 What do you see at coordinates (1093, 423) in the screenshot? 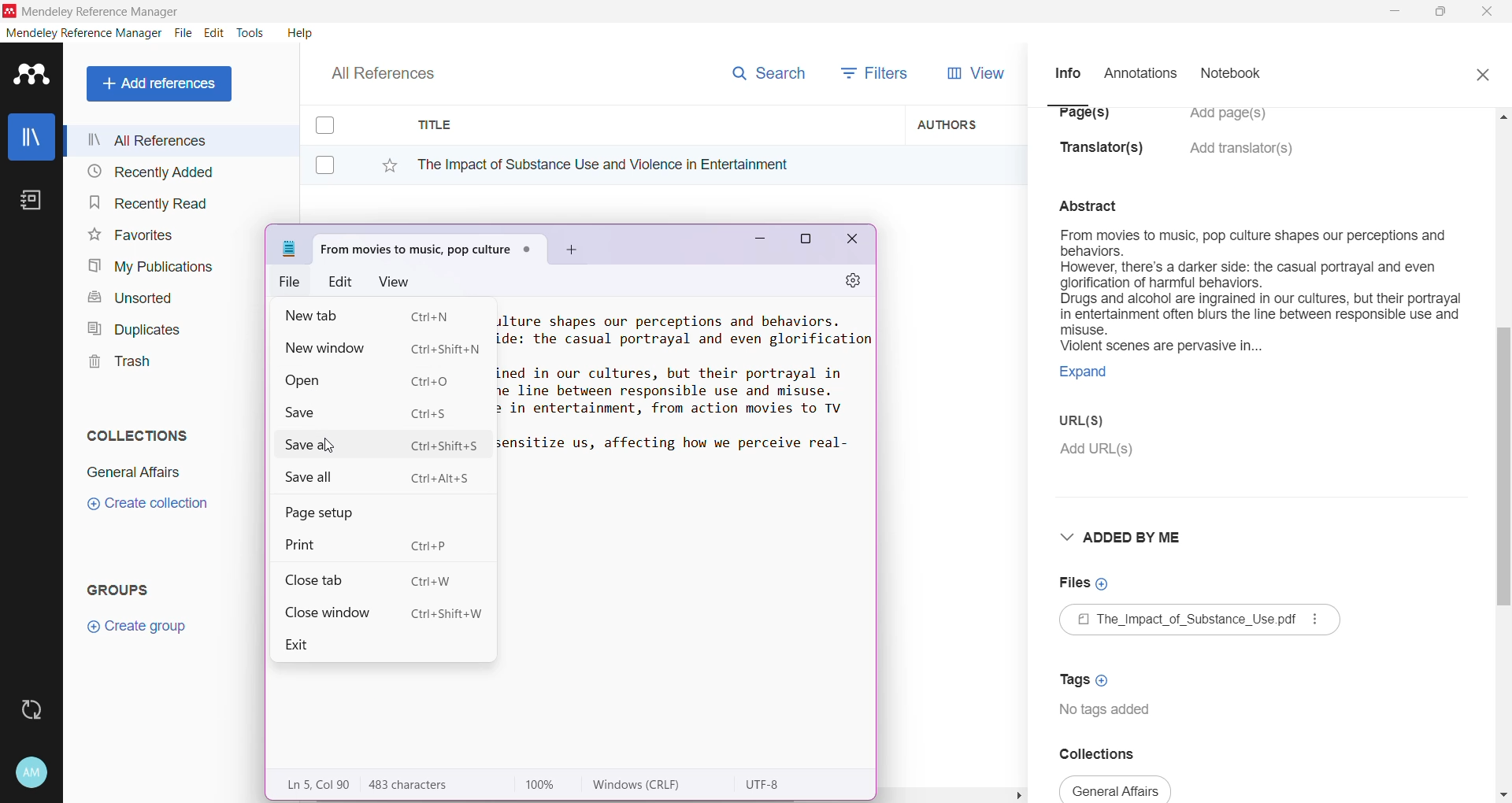
I see `URL(S)` at bounding box center [1093, 423].